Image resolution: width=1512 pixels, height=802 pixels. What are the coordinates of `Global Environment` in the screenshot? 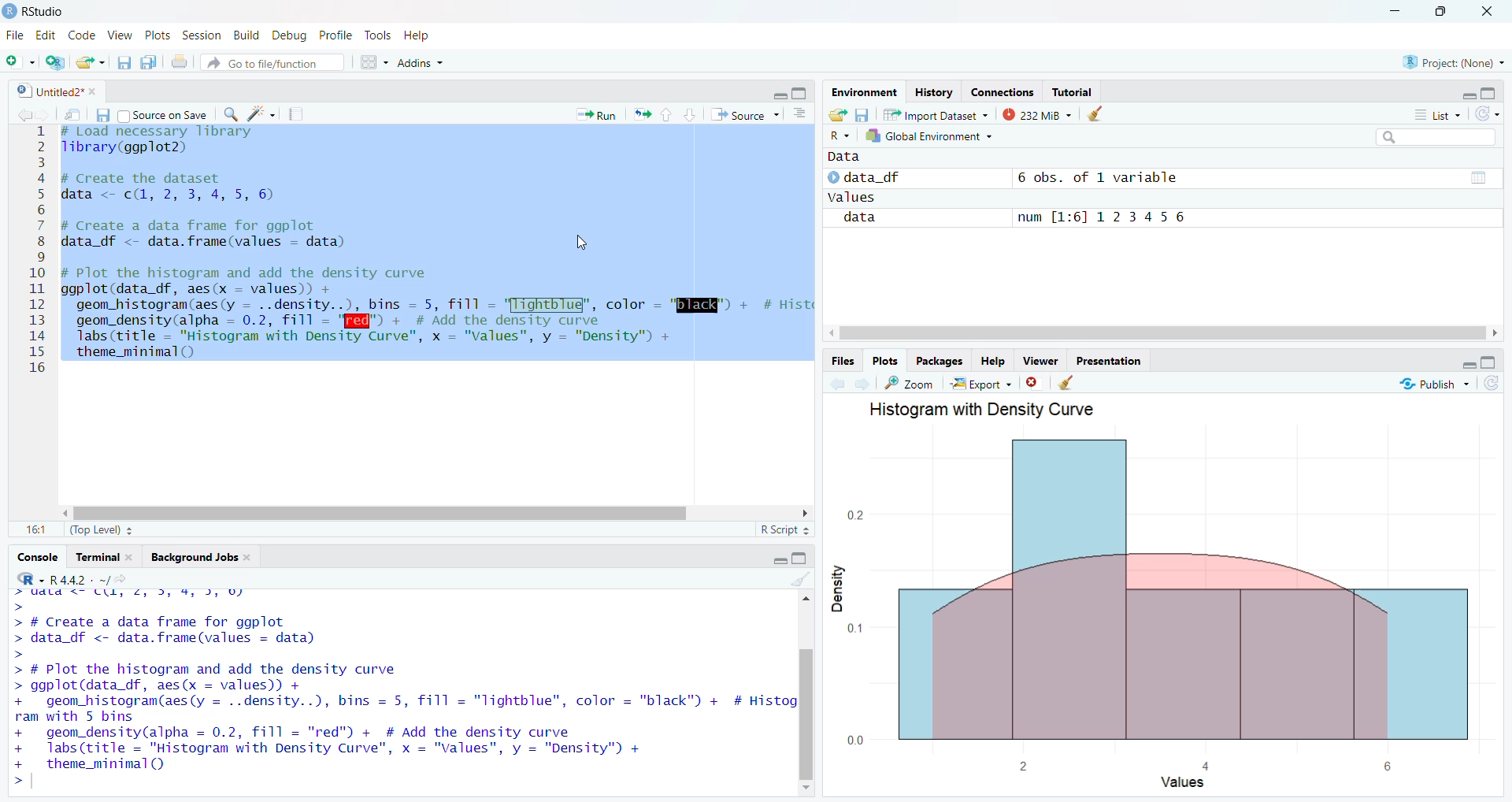 It's located at (929, 136).